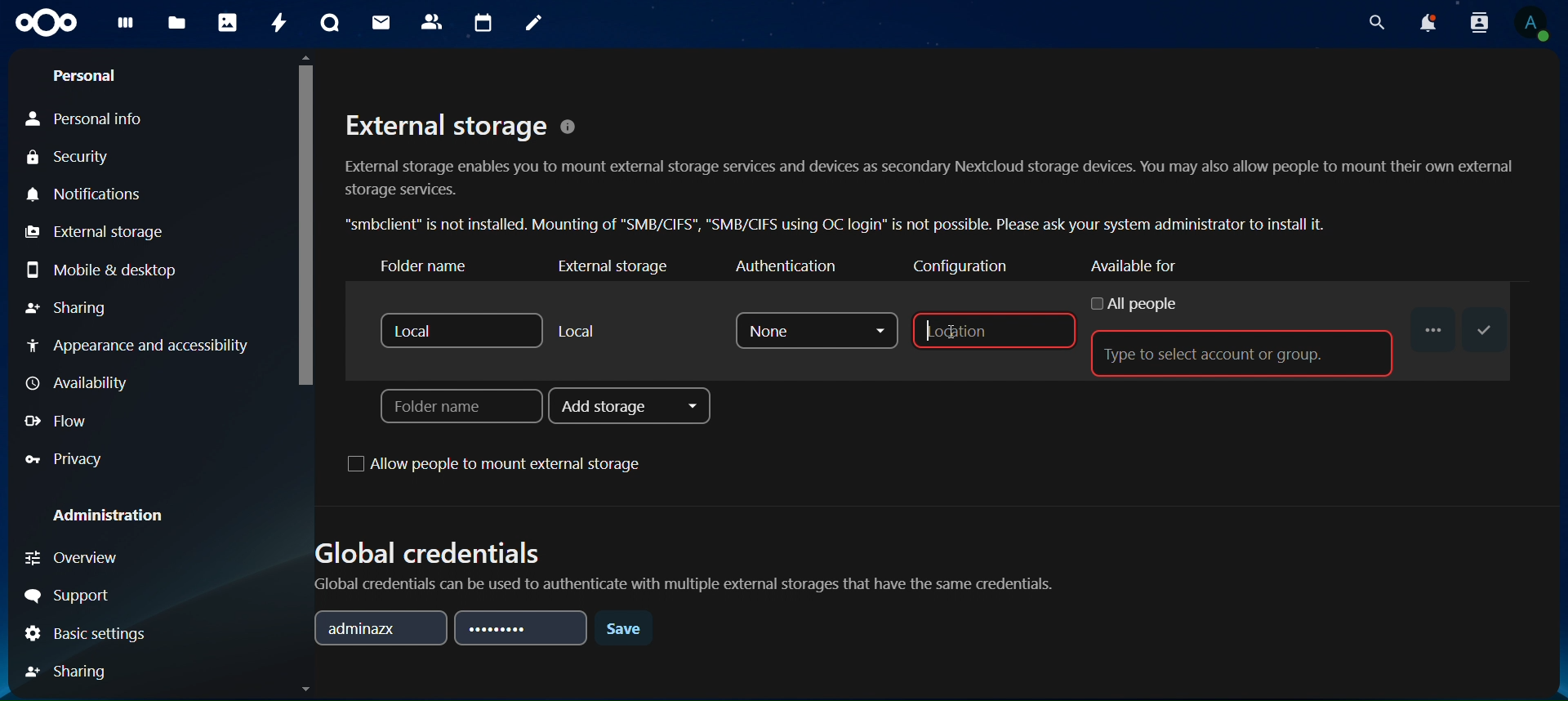  What do you see at coordinates (433, 22) in the screenshot?
I see `contact` at bounding box center [433, 22].